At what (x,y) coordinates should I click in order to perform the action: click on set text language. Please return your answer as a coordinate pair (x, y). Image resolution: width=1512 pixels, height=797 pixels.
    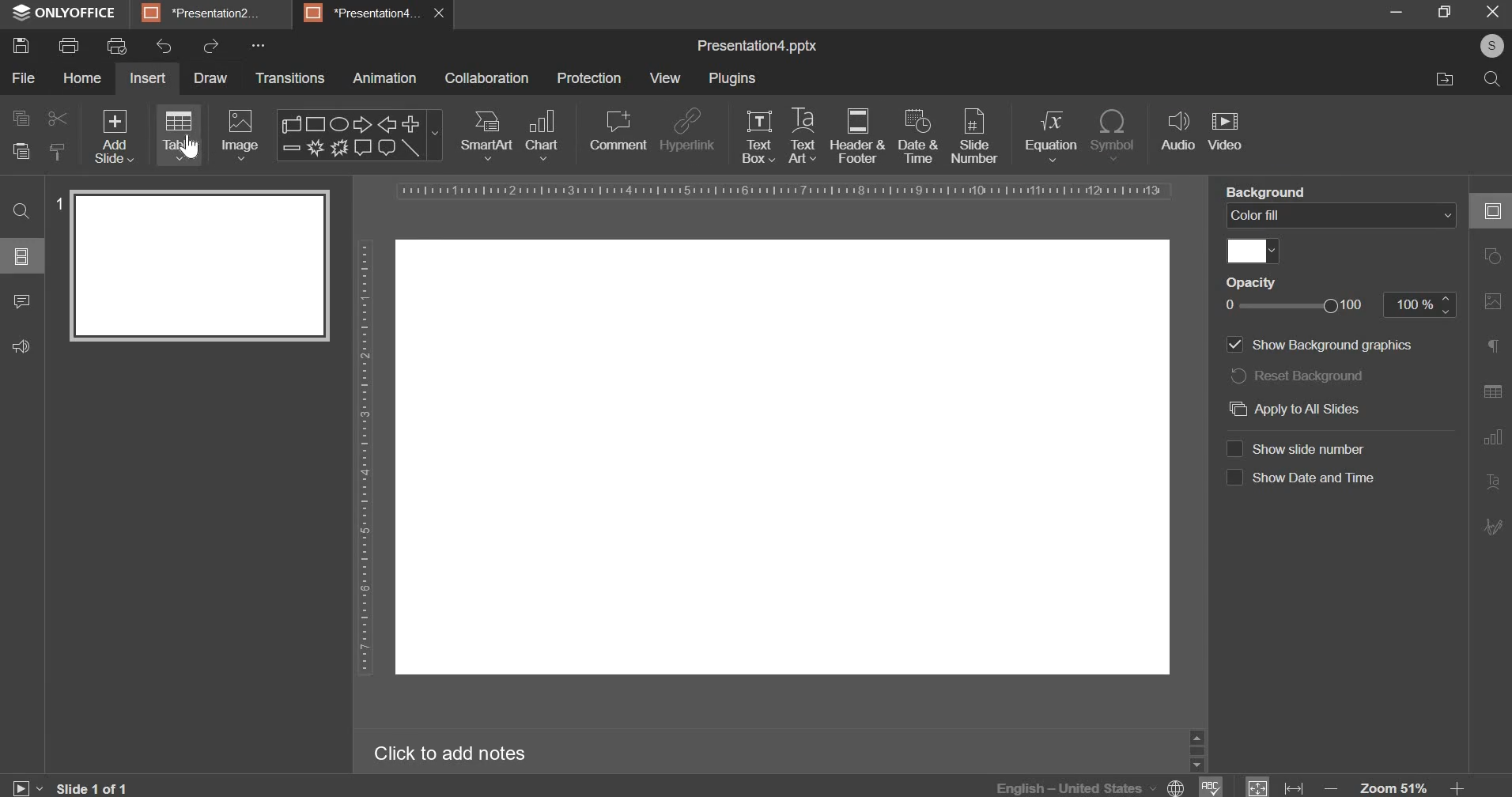
    Looking at the image, I should click on (1075, 787).